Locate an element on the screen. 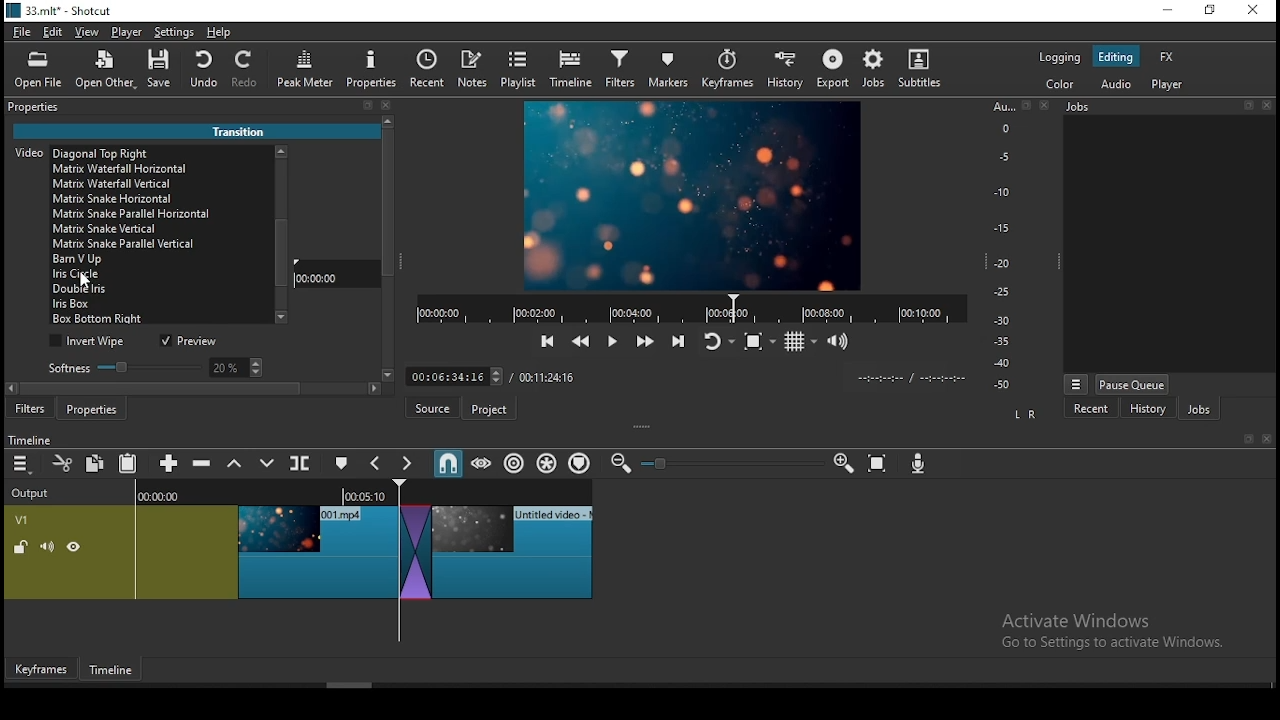   is located at coordinates (1266, 440).